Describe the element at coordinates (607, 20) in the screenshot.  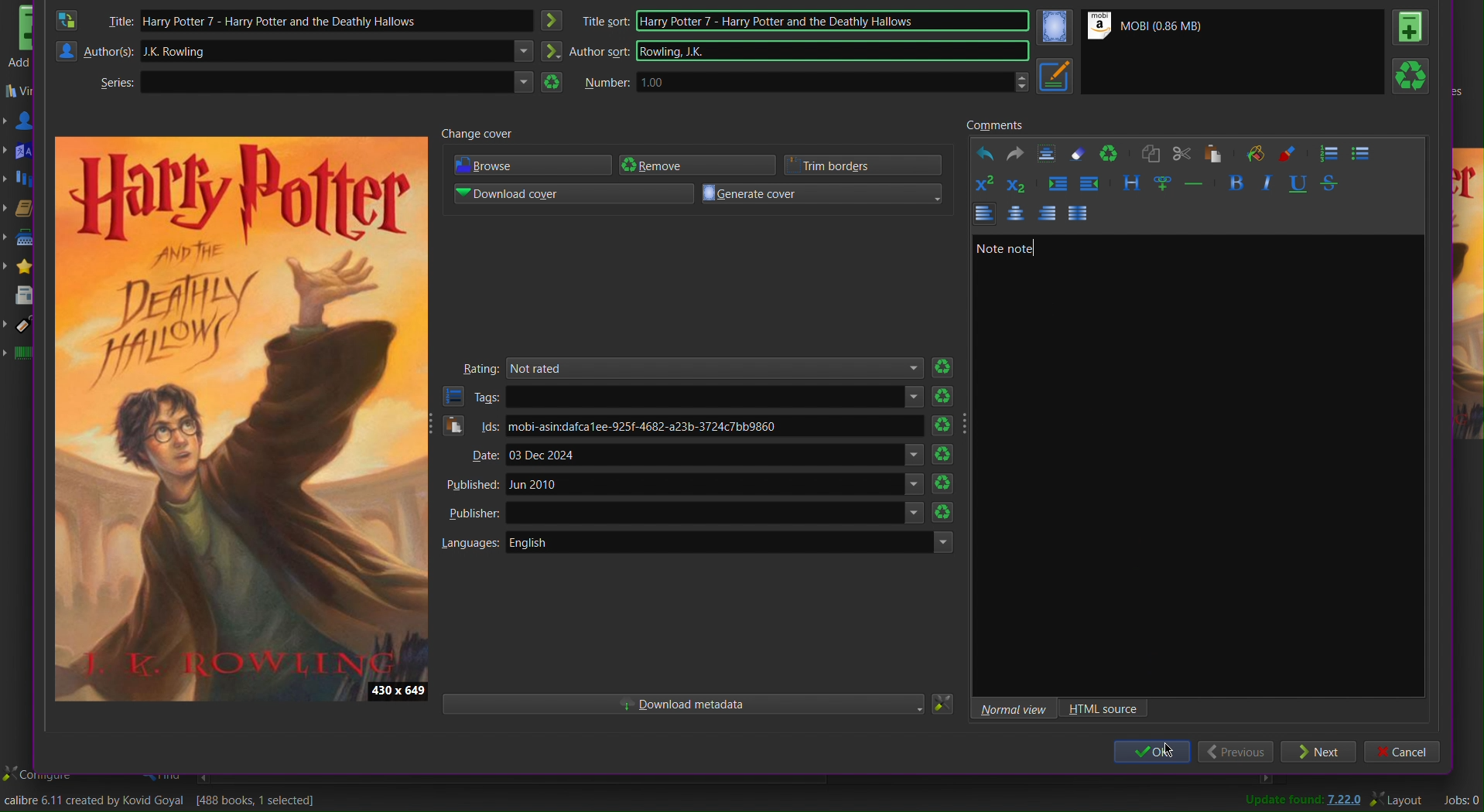
I see `title sort` at that location.